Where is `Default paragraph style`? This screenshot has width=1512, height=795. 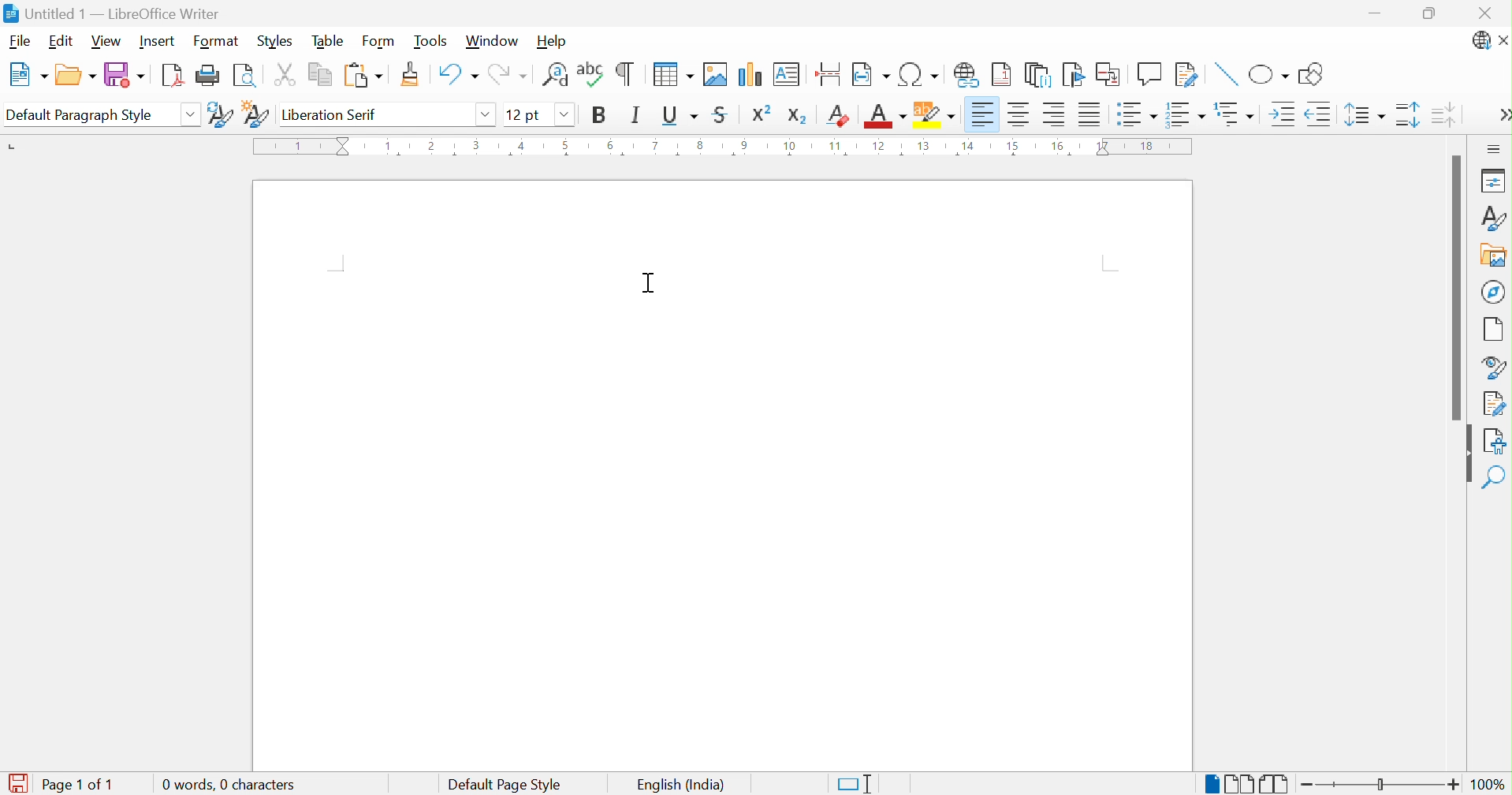
Default paragraph style is located at coordinates (81, 116).